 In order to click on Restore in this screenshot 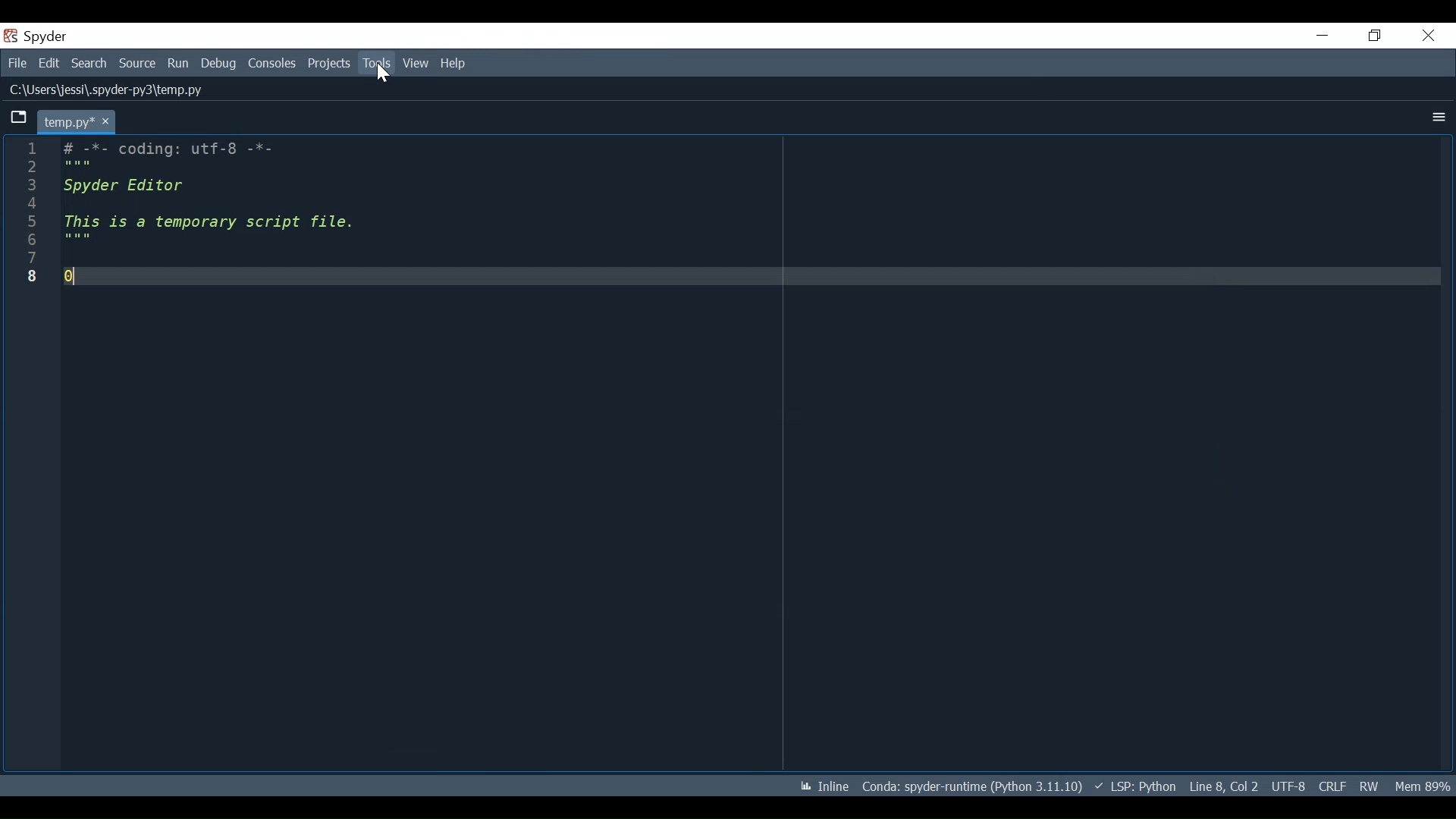, I will do `click(1375, 36)`.